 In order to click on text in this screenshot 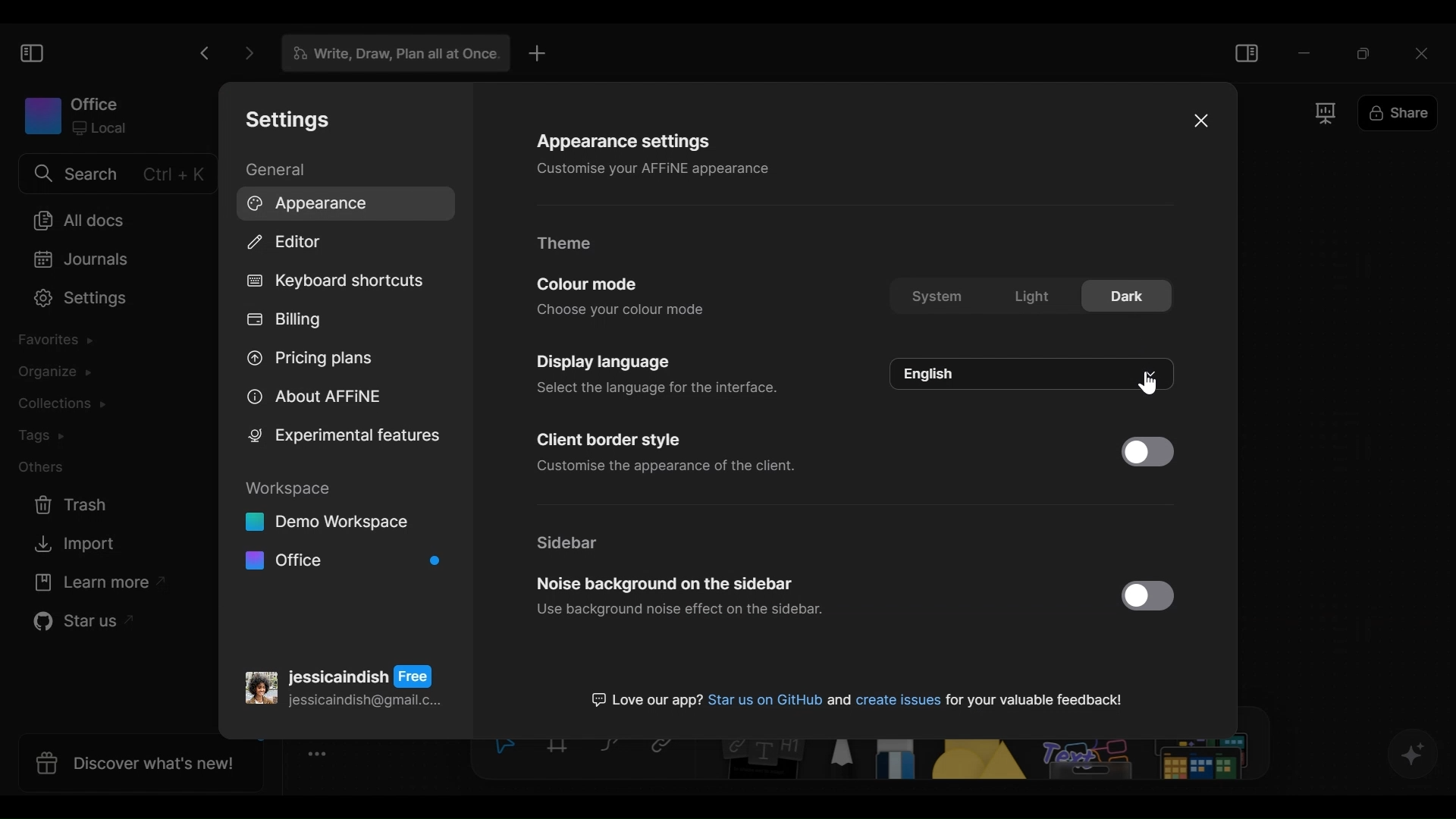, I will do `click(855, 696)`.